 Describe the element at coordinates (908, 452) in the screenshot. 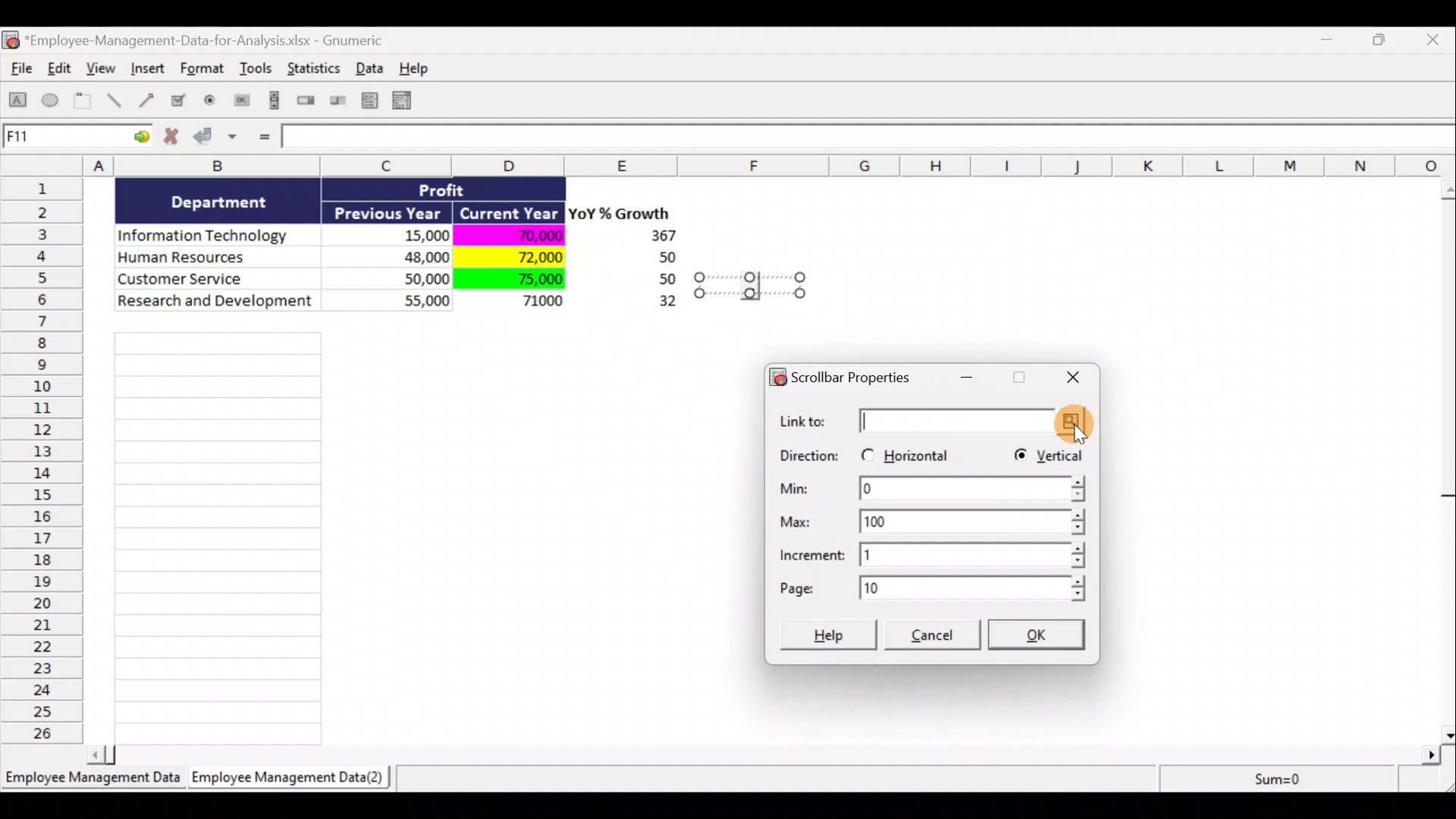

I see `Horizontal` at that location.